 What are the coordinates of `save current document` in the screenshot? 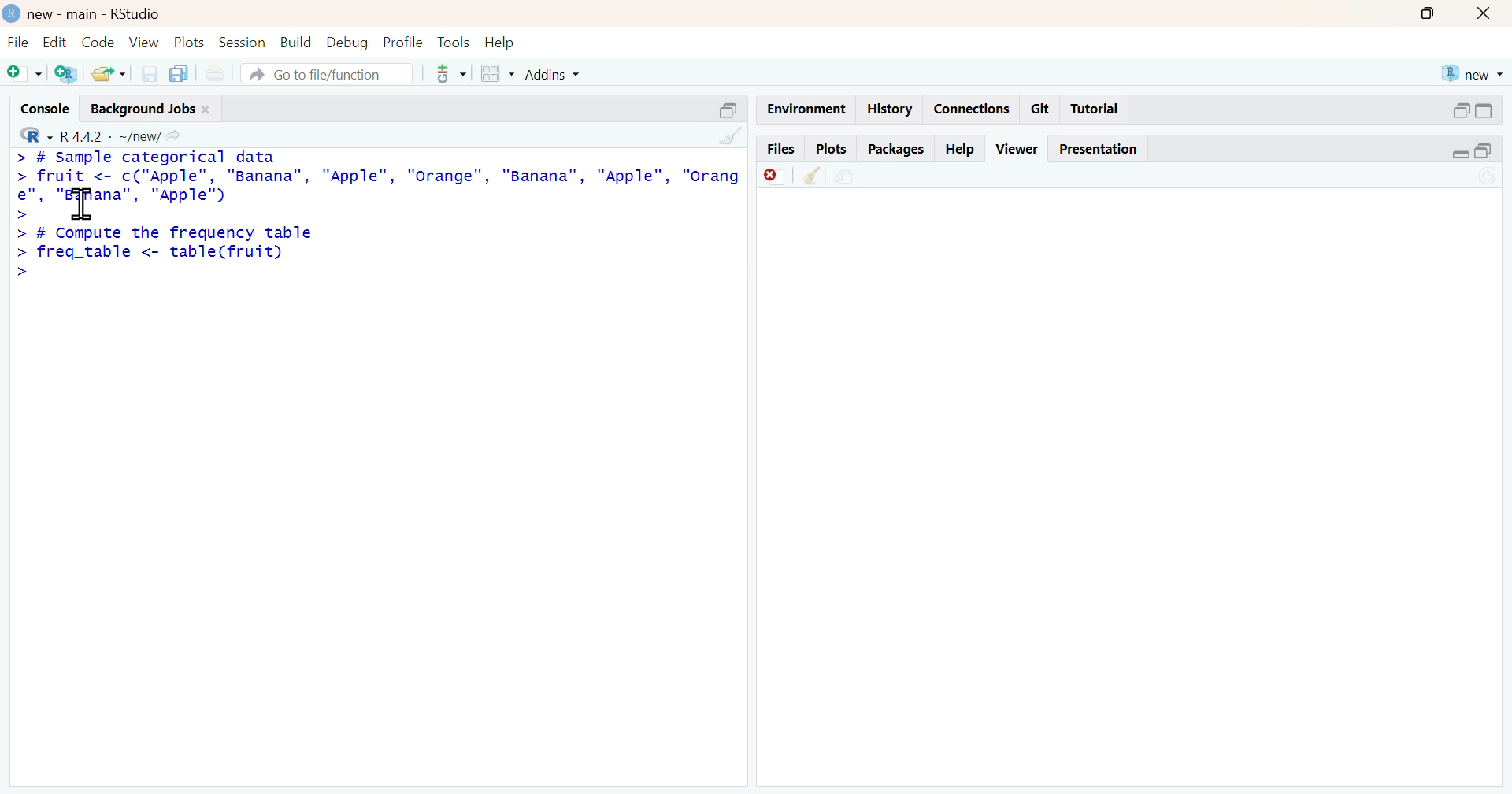 It's located at (152, 75).